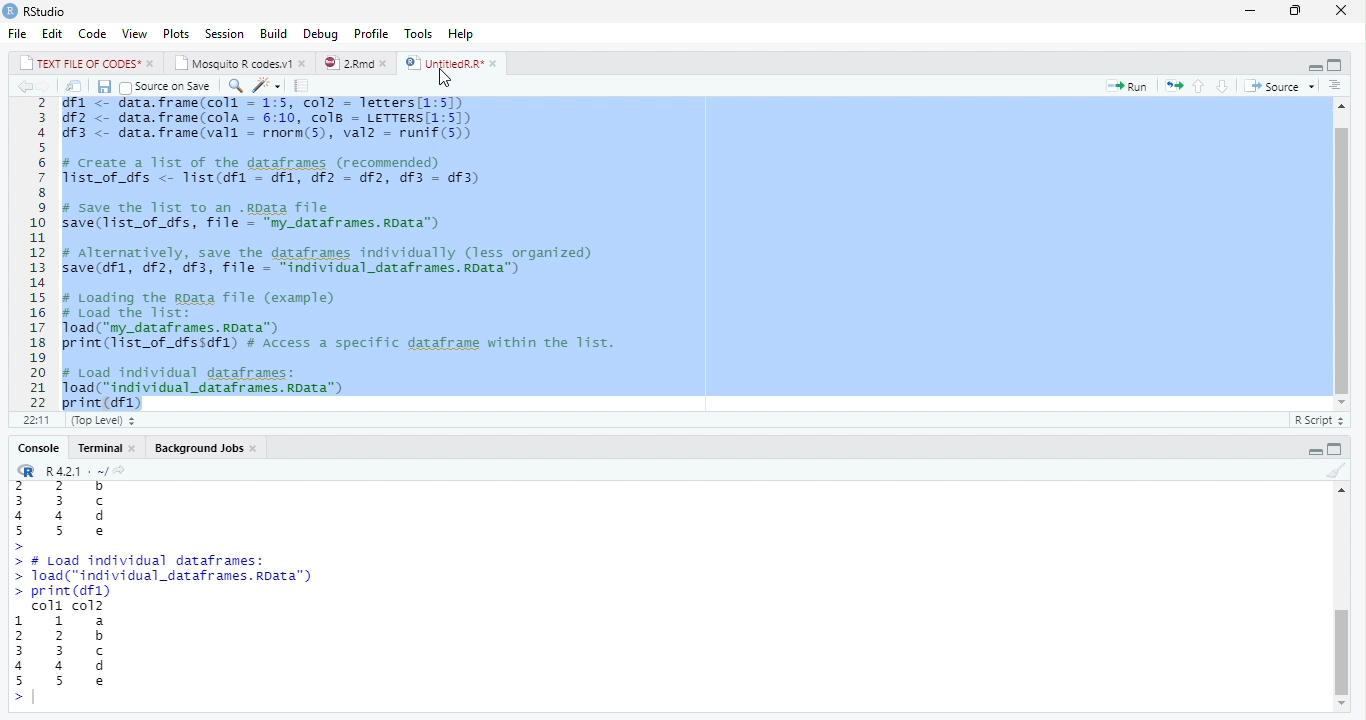 The width and height of the screenshot is (1366, 720). I want to click on Outline, so click(1335, 86).